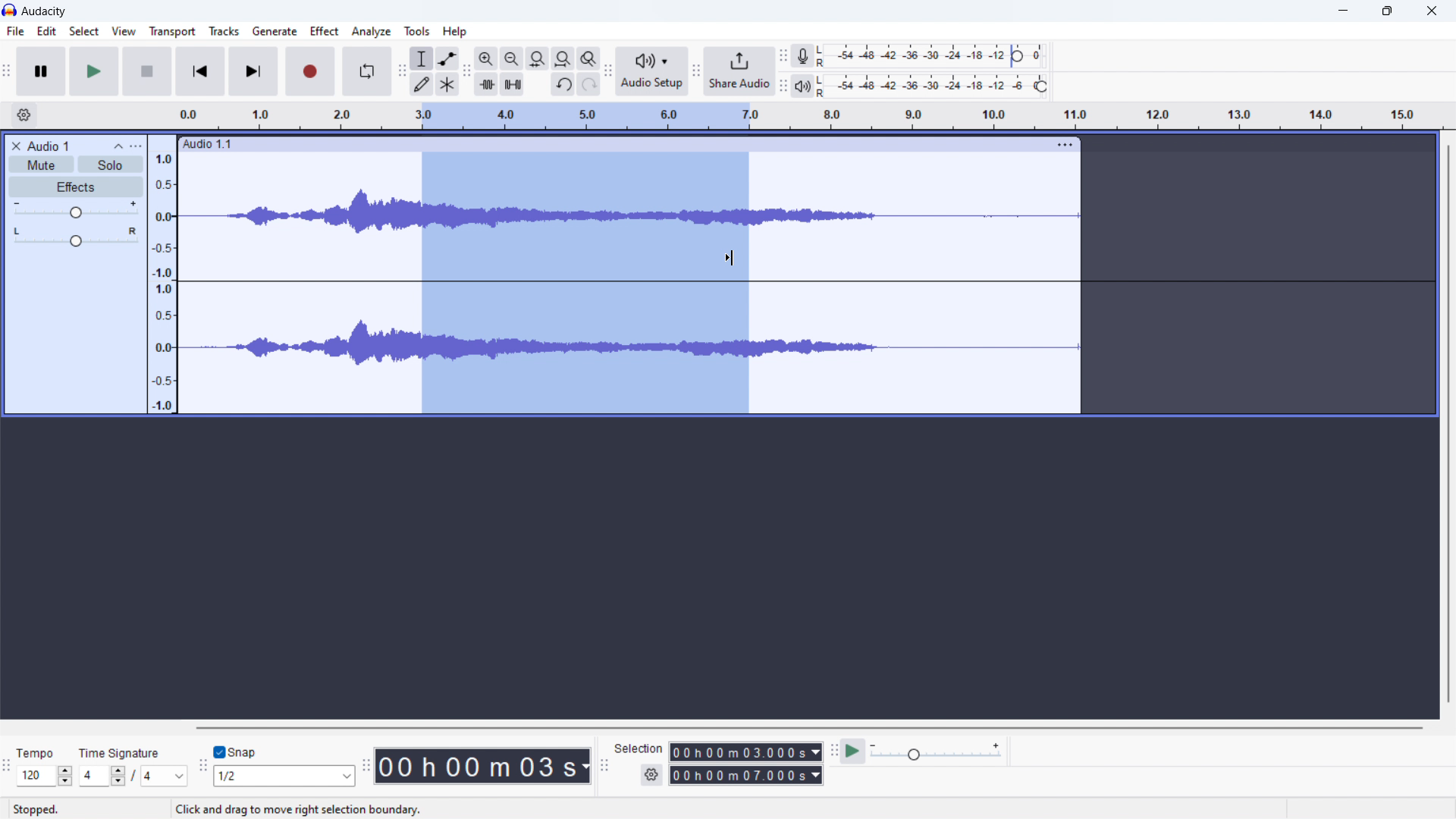  What do you see at coordinates (141, 143) in the screenshot?
I see `more options` at bounding box center [141, 143].